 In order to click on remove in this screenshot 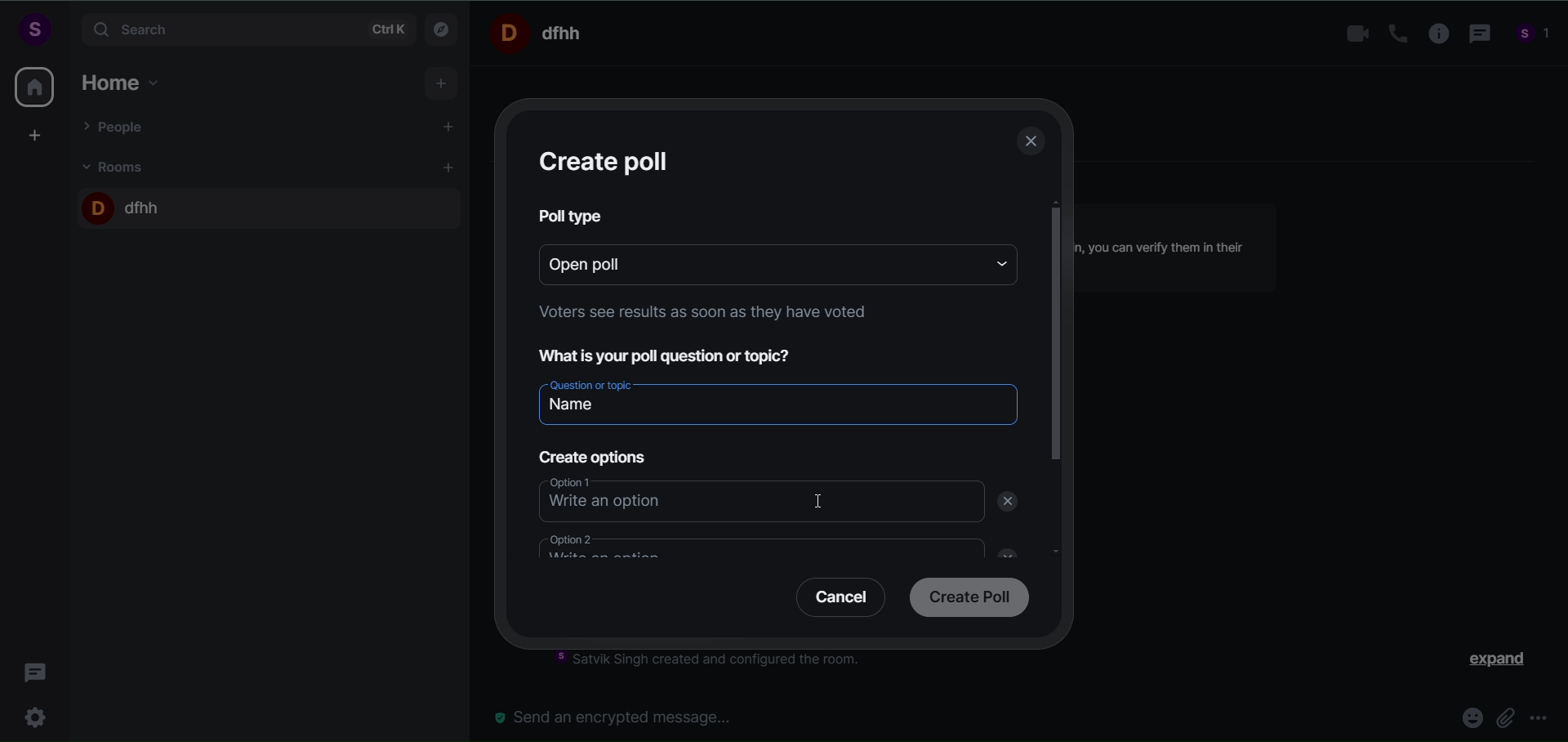, I will do `click(1011, 502)`.